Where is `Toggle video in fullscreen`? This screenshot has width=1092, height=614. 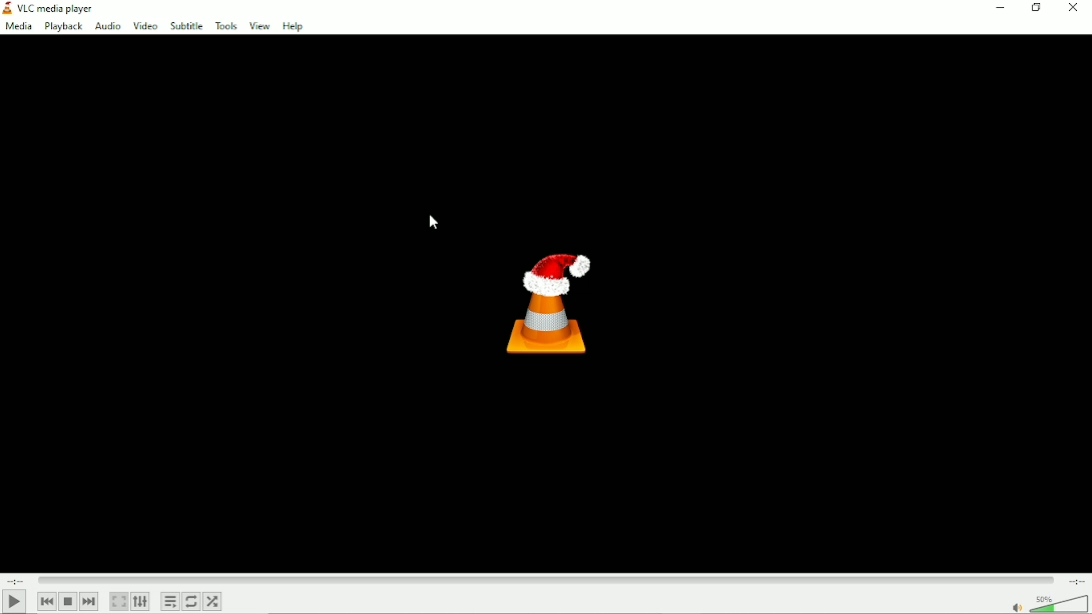
Toggle video in fullscreen is located at coordinates (118, 601).